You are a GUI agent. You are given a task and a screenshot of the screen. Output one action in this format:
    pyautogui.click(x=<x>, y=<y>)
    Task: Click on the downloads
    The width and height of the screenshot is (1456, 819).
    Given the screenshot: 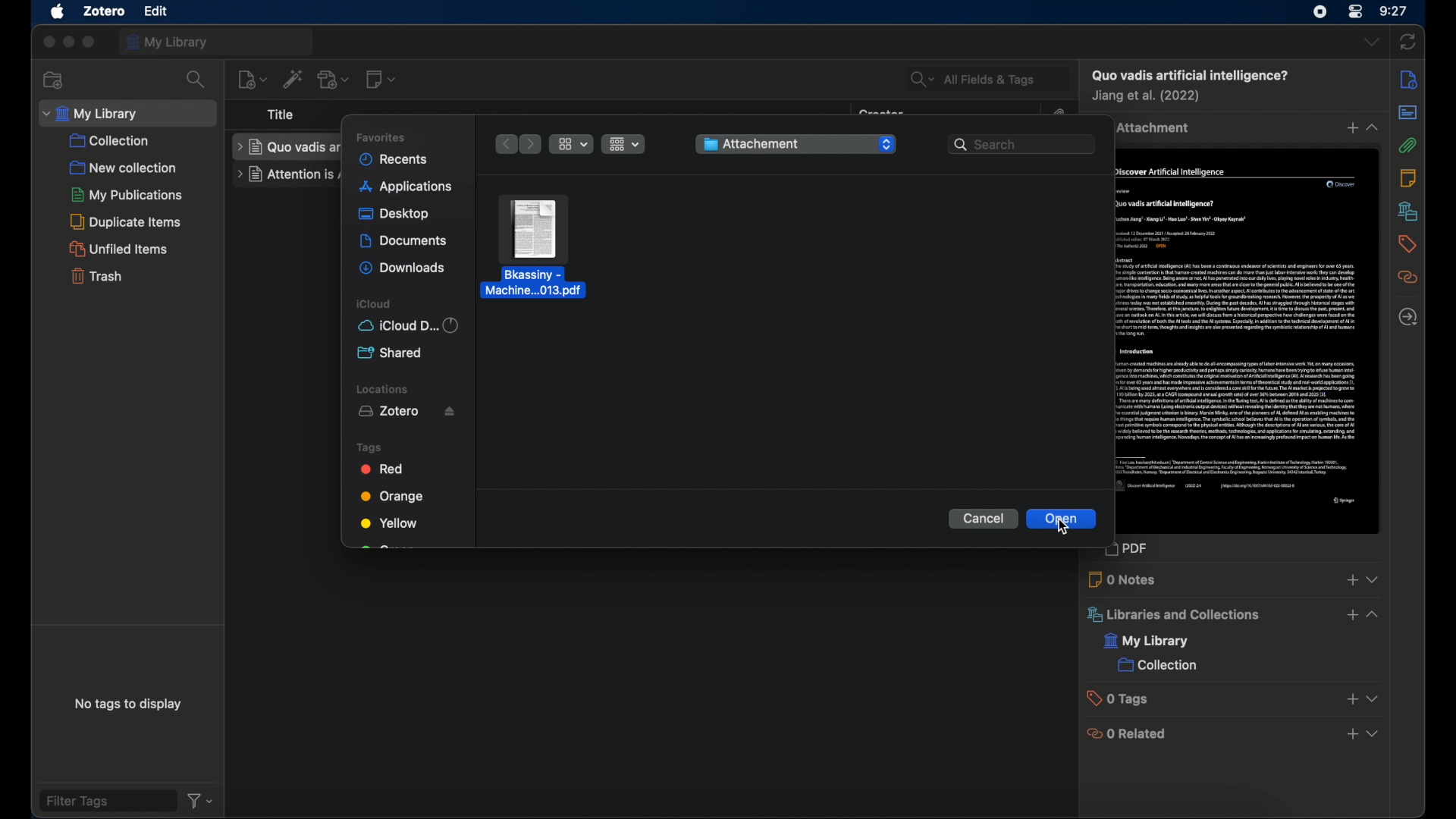 What is the action you would take?
    pyautogui.click(x=402, y=269)
    